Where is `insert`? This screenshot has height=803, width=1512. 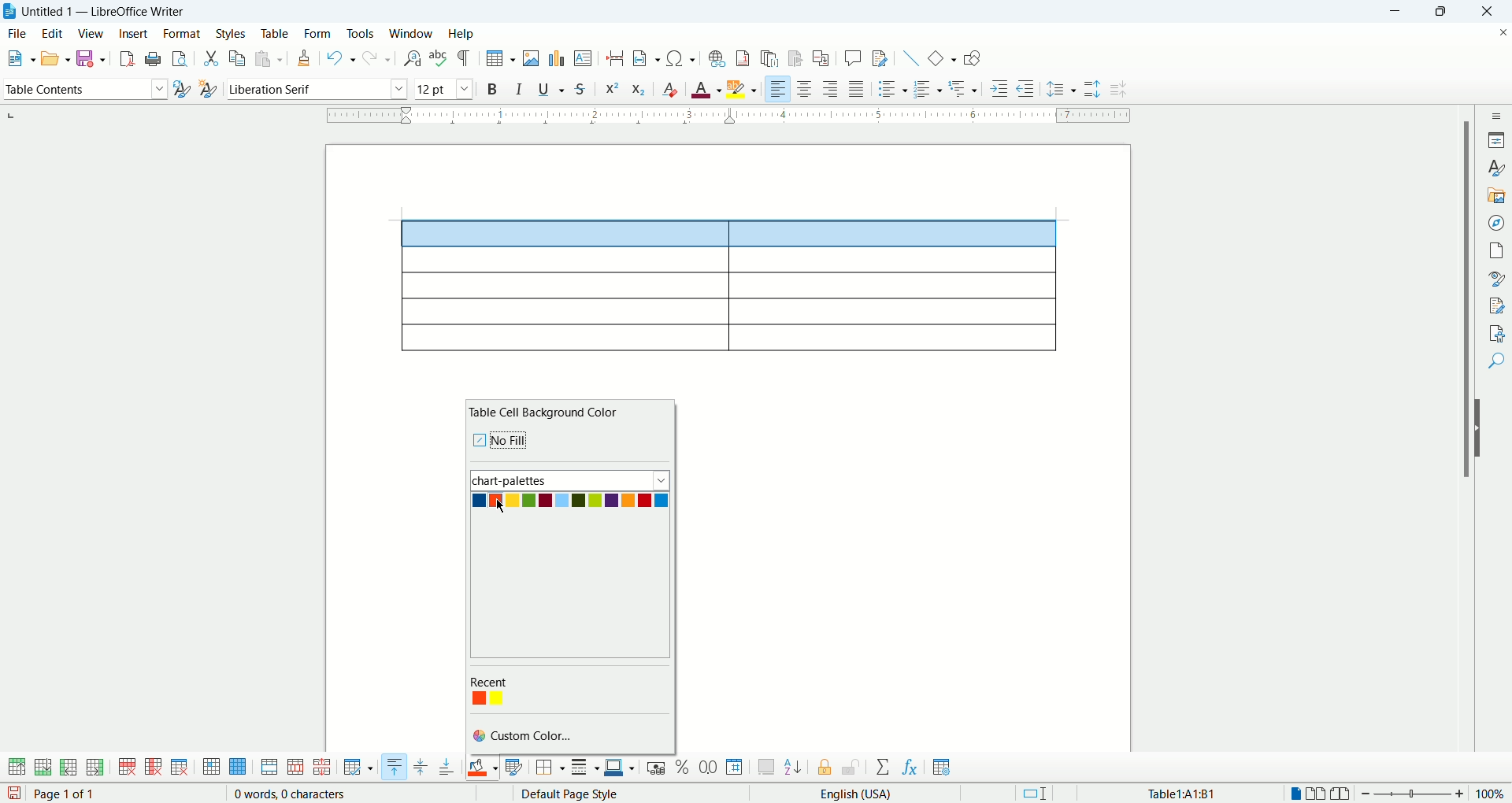
insert is located at coordinates (135, 33).